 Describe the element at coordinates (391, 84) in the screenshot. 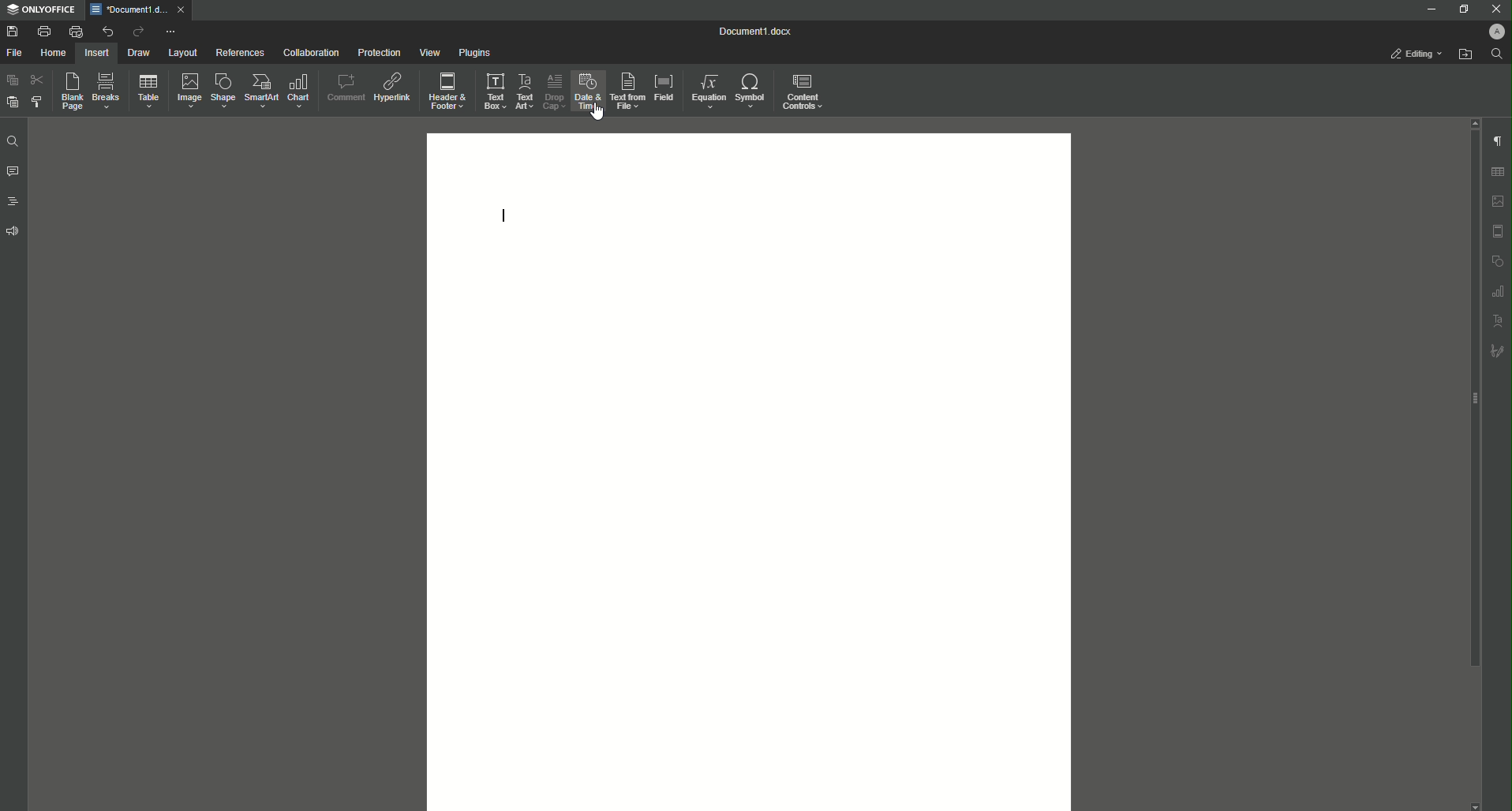

I see `Hyperlink` at that location.